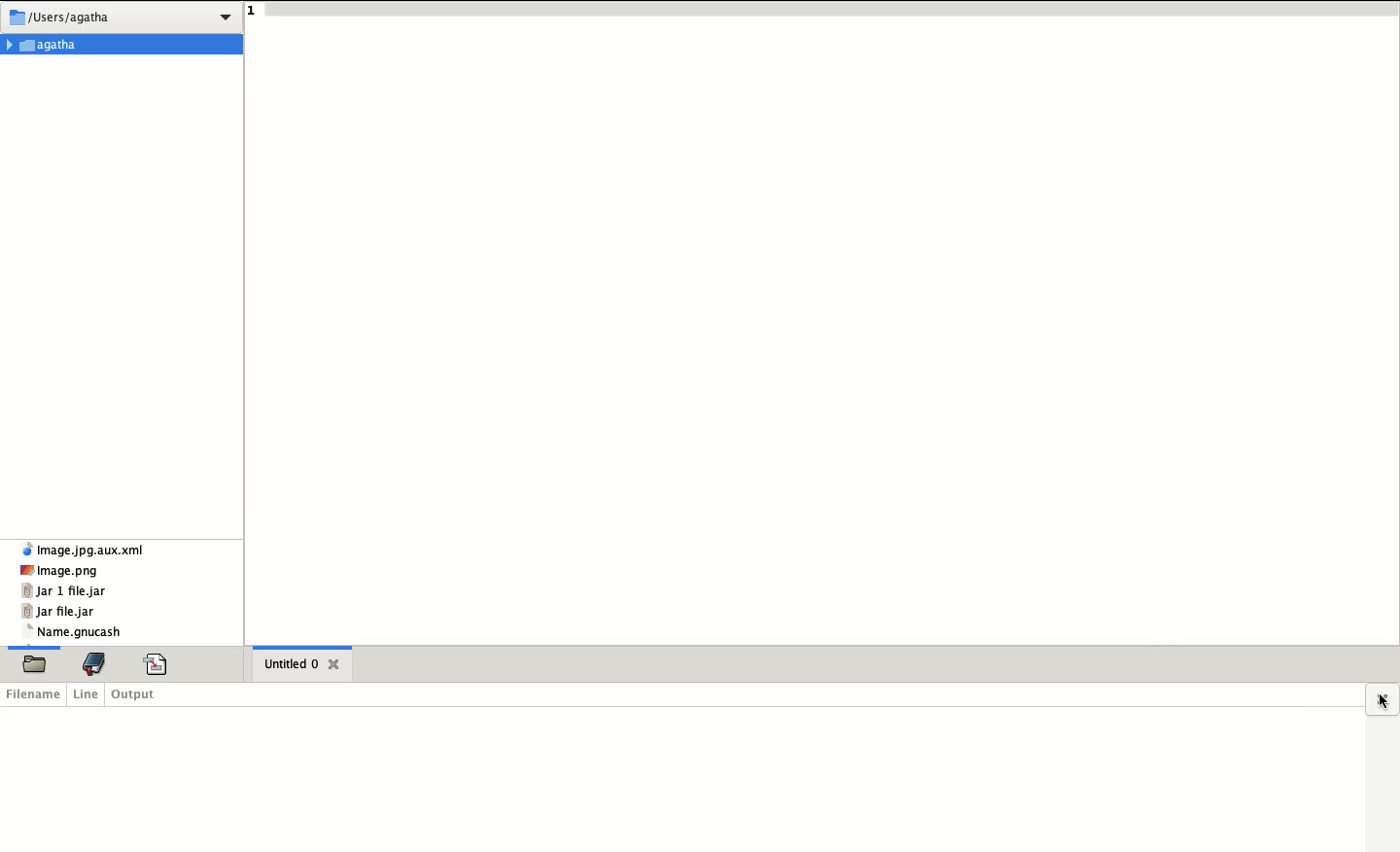 The height and width of the screenshot is (852, 1400). What do you see at coordinates (133, 694) in the screenshot?
I see `output` at bounding box center [133, 694].